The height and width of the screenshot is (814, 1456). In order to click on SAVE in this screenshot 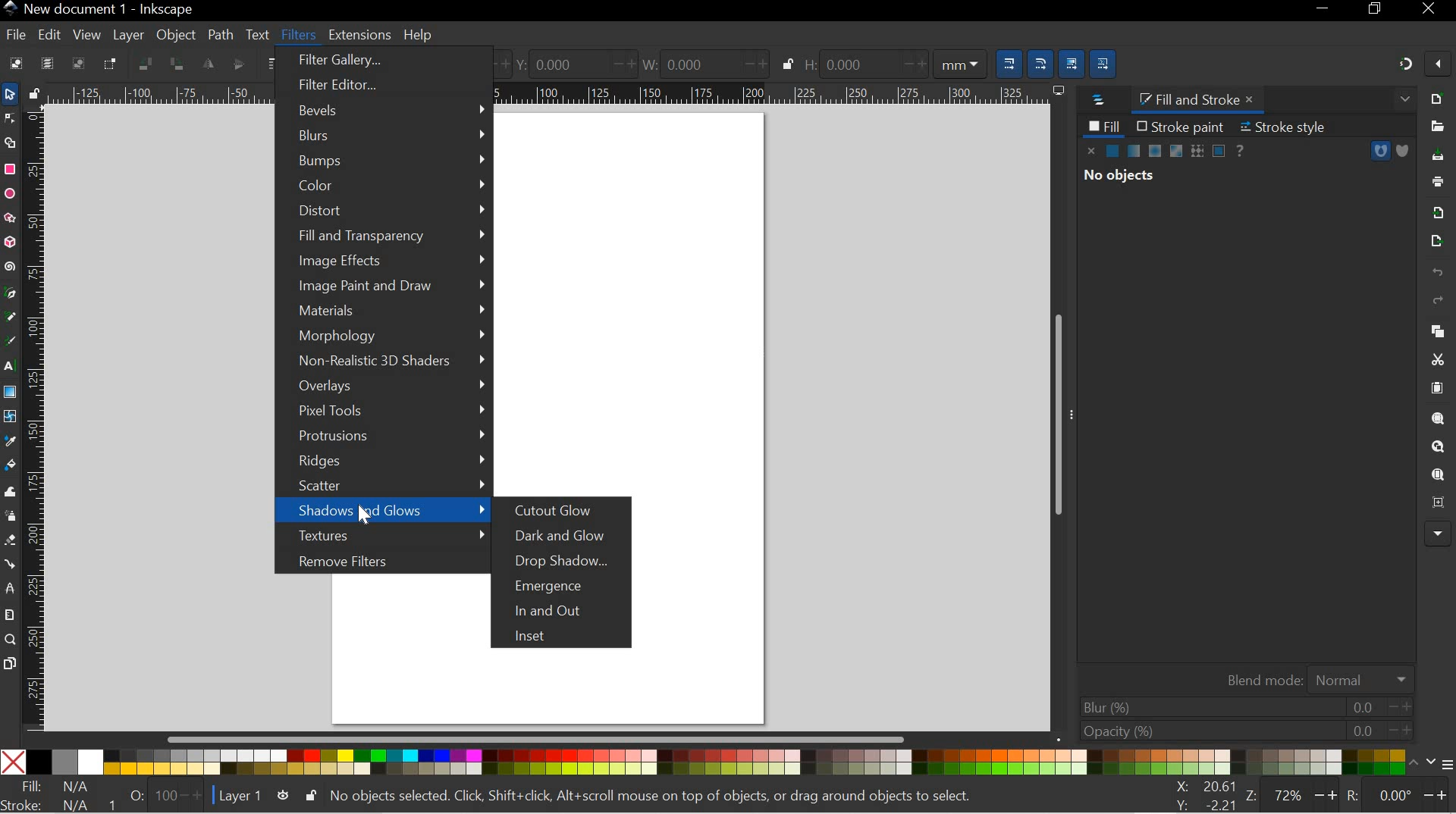, I will do `click(1439, 156)`.